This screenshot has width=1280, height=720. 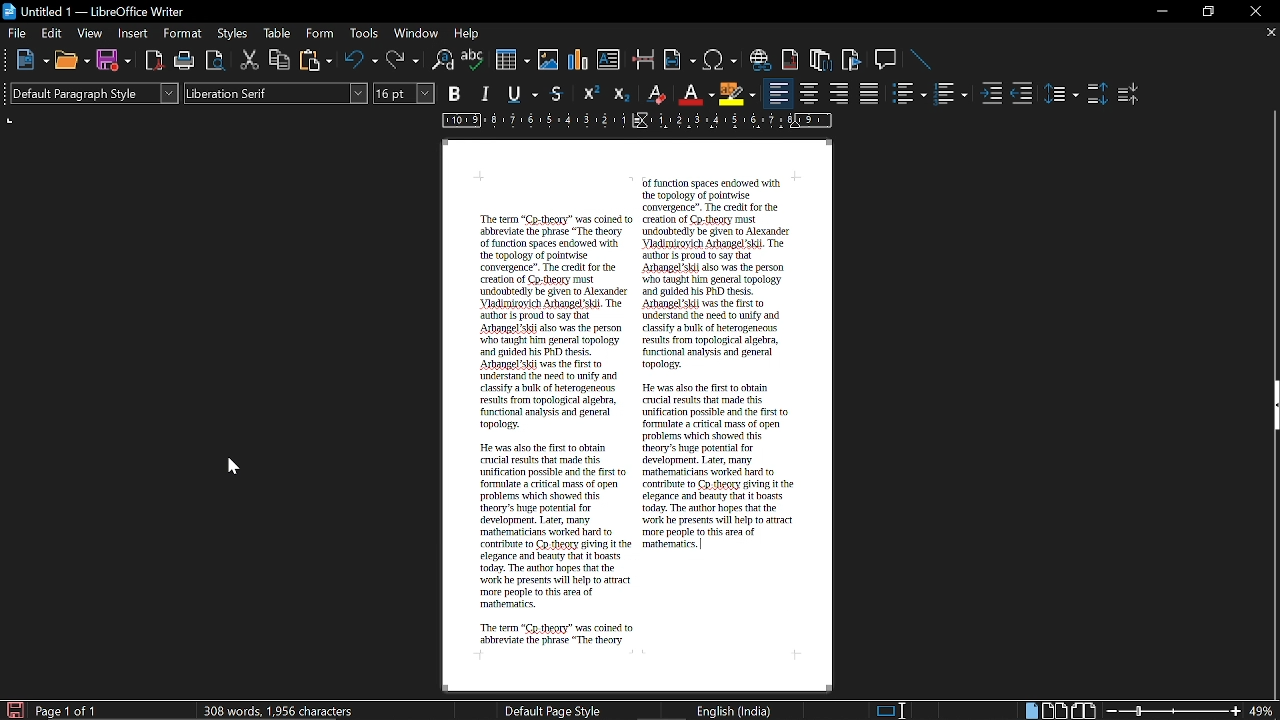 I want to click on Sidebar, so click(x=1272, y=407).